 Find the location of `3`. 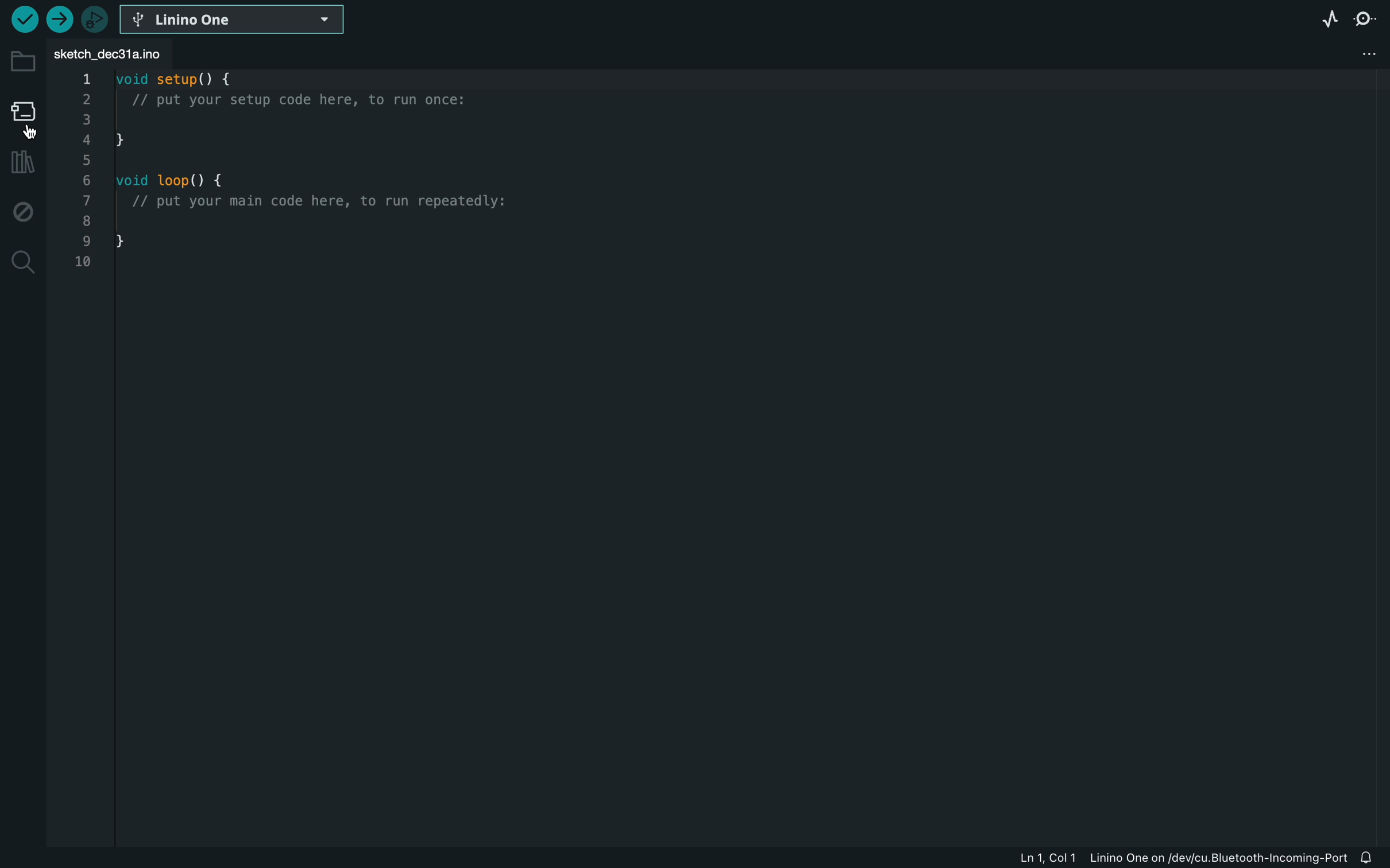

3 is located at coordinates (88, 118).